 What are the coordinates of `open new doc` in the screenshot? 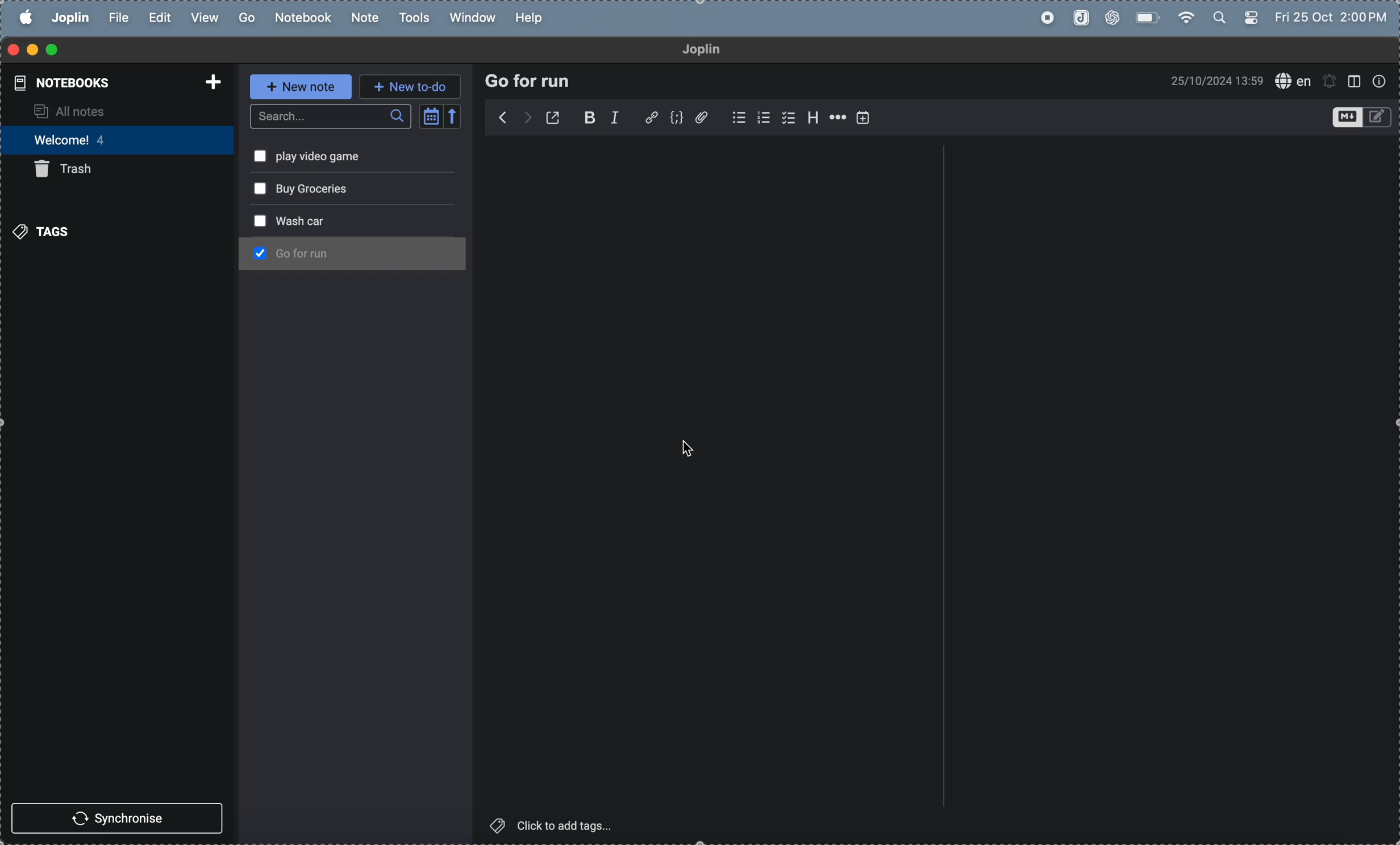 It's located at (554, 115).